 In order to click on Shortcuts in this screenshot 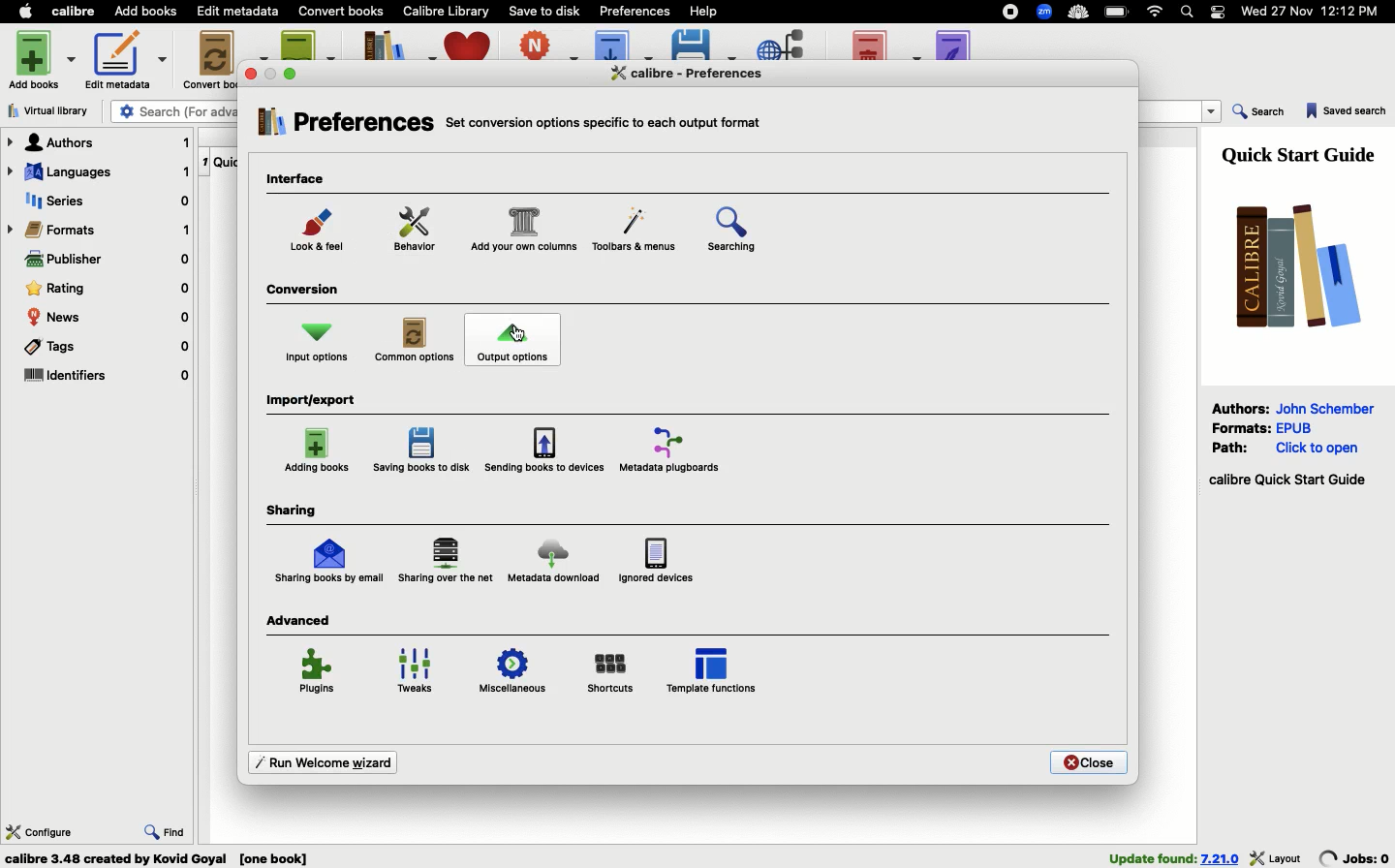, I will do `click(611, 671)`.